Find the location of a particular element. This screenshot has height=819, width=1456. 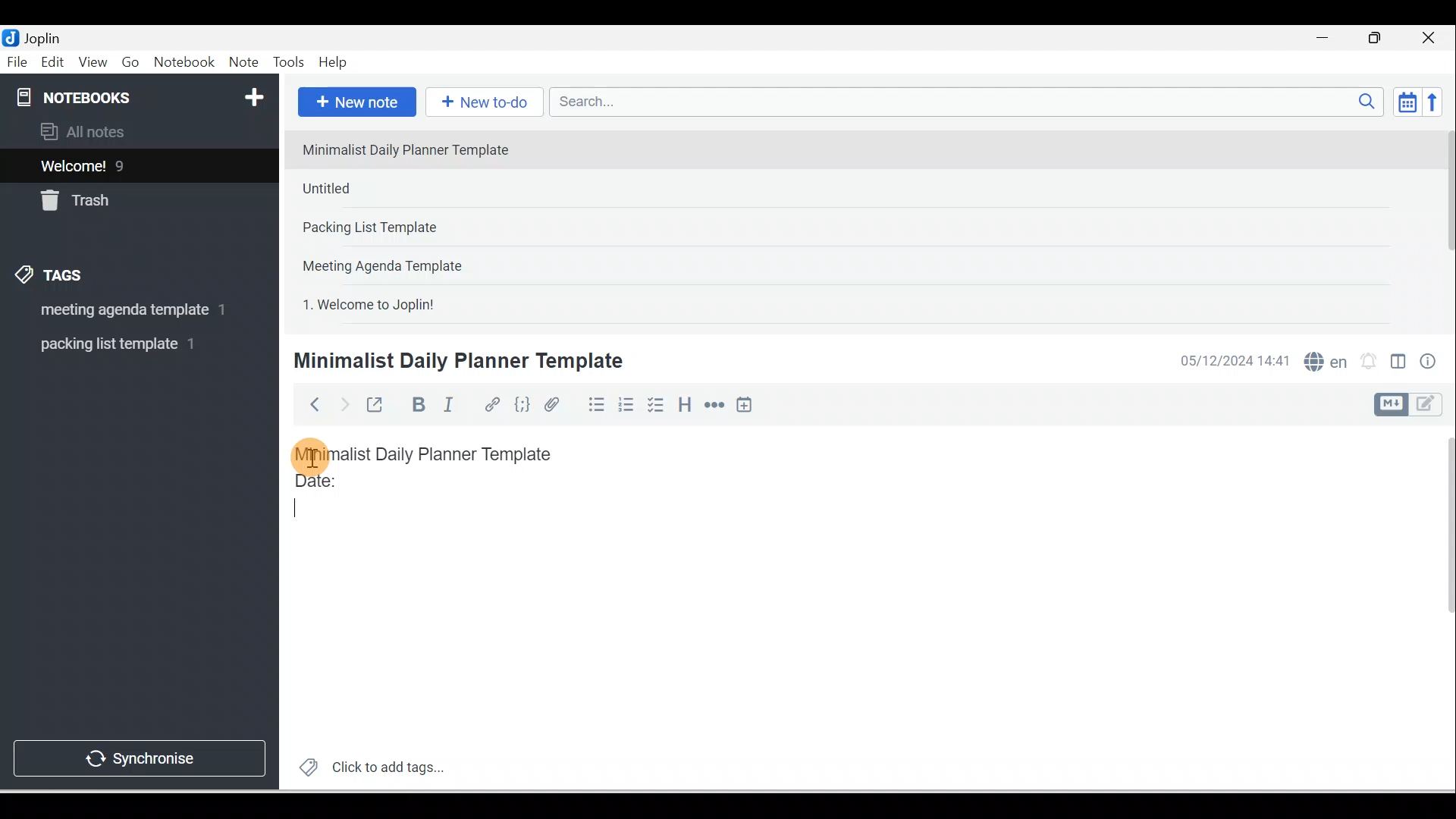

Go is located at coordinates (133, 63).